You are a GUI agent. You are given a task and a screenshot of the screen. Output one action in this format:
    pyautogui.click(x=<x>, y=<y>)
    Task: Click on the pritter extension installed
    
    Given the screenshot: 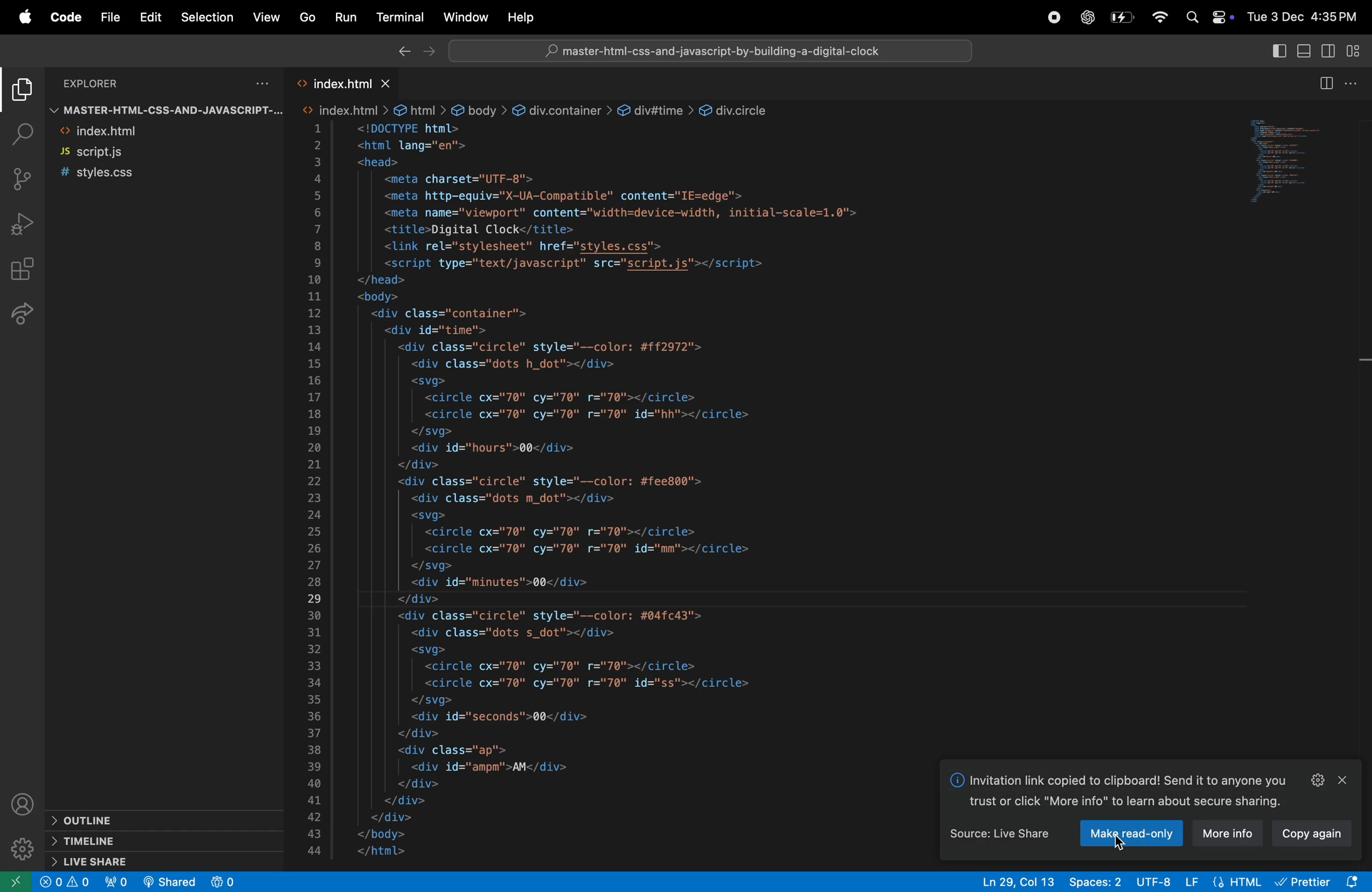 What is the action you would take?
    pyautogui.click(x=1319, y=880)
    